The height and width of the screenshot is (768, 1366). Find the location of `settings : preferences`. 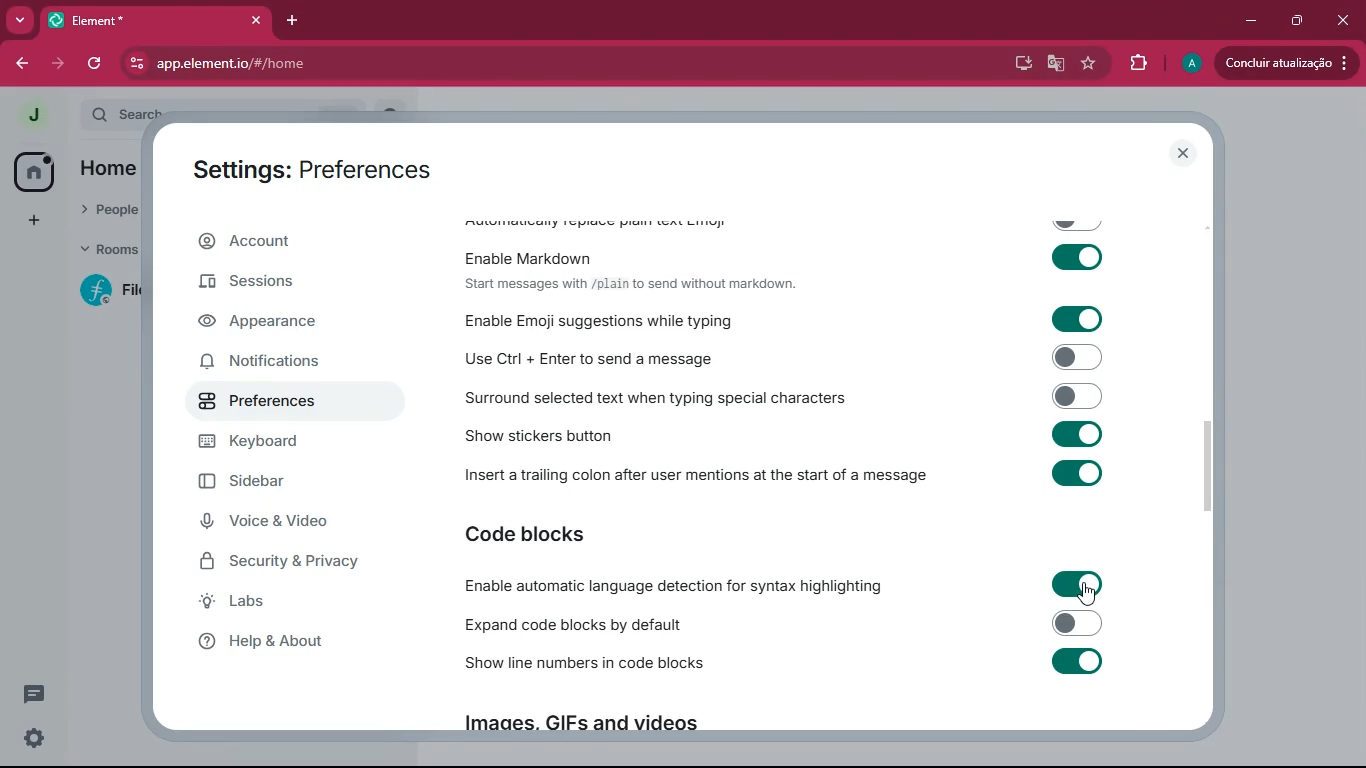

settings : preferences is located at coordinates (325, 168).